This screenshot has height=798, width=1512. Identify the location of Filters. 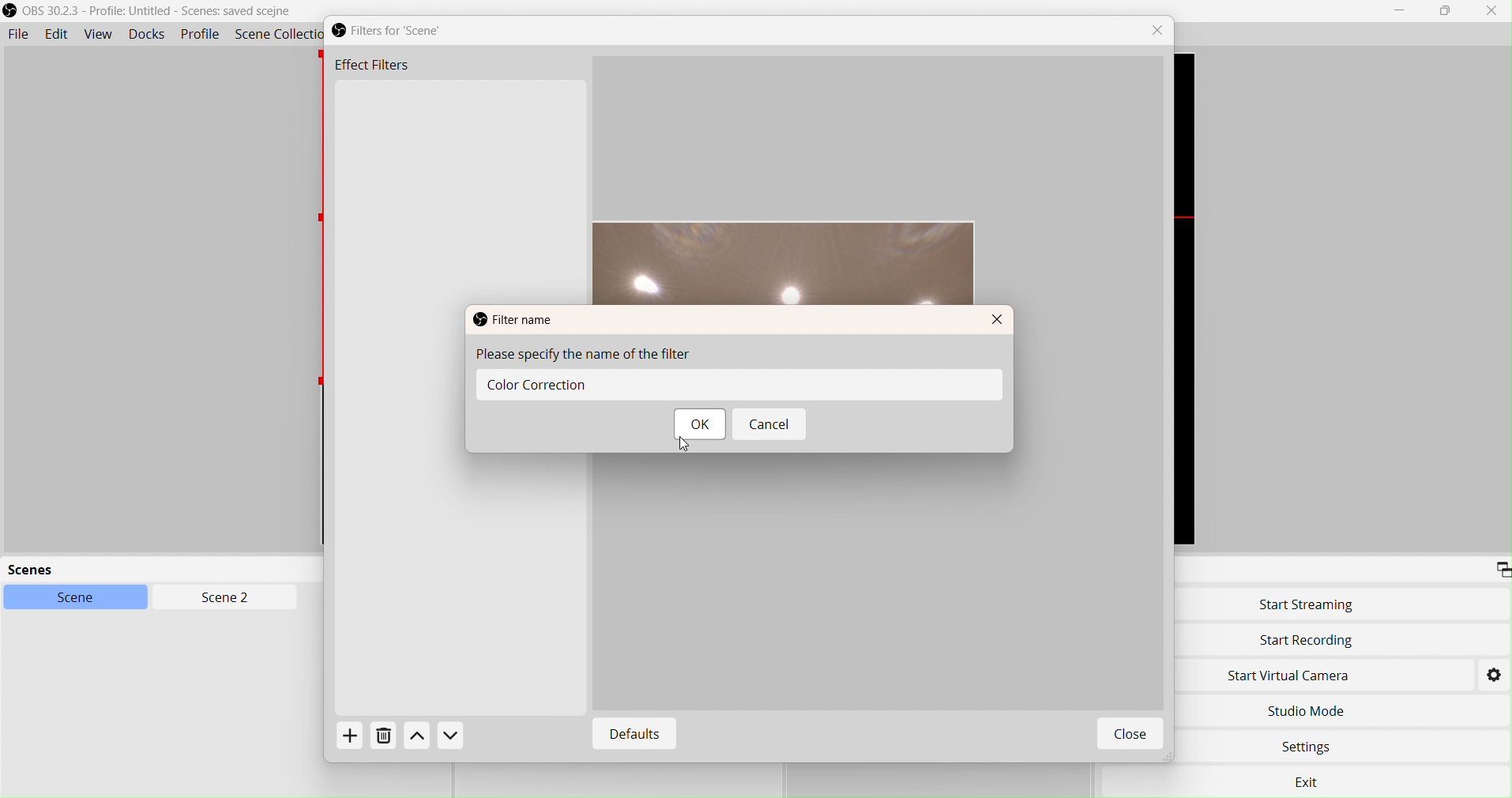
(401, 31).